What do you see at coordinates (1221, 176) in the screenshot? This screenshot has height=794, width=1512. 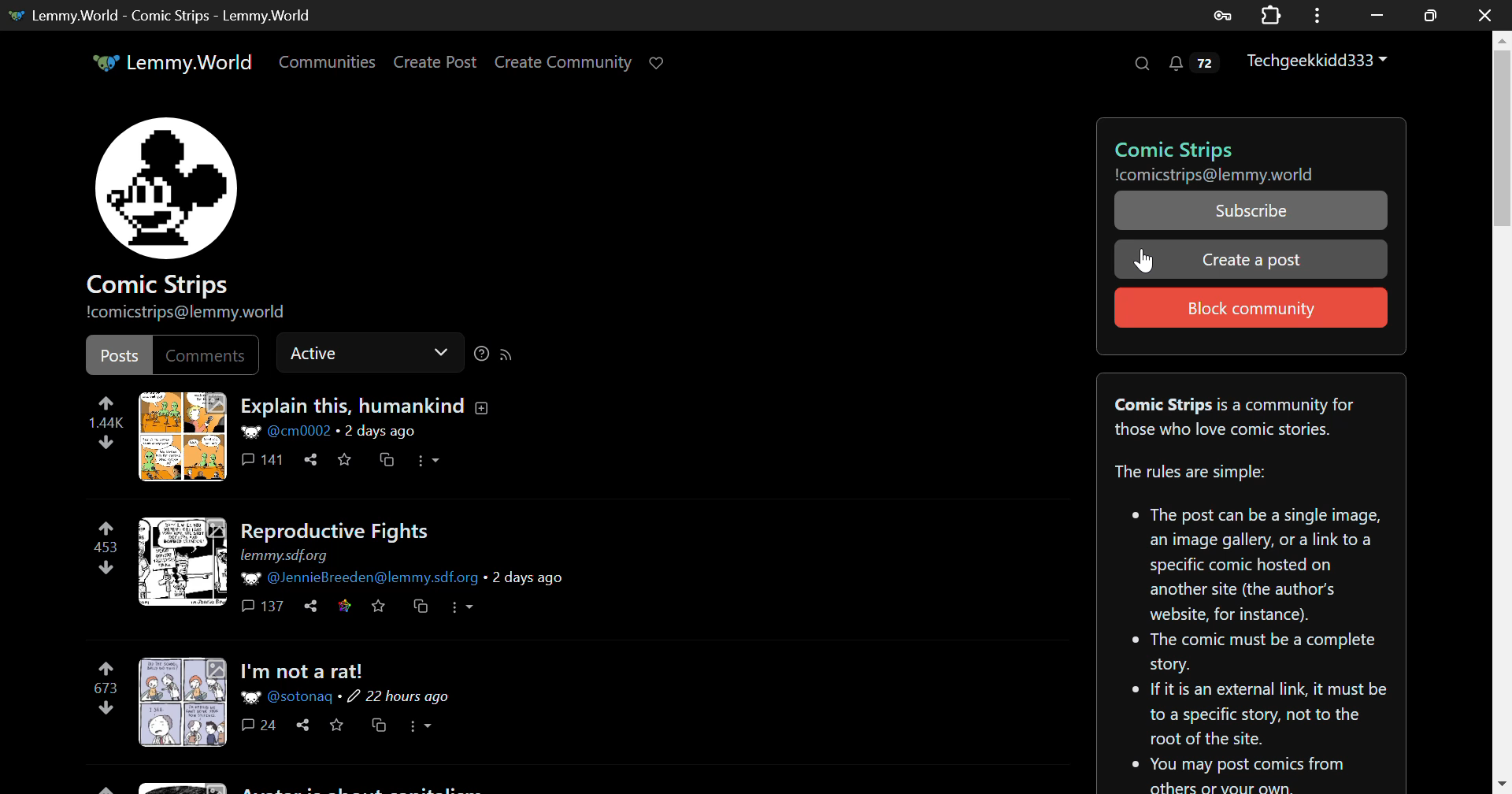 I see `!comicstrips@lemmy.world` at bounding box center [1221, 176].